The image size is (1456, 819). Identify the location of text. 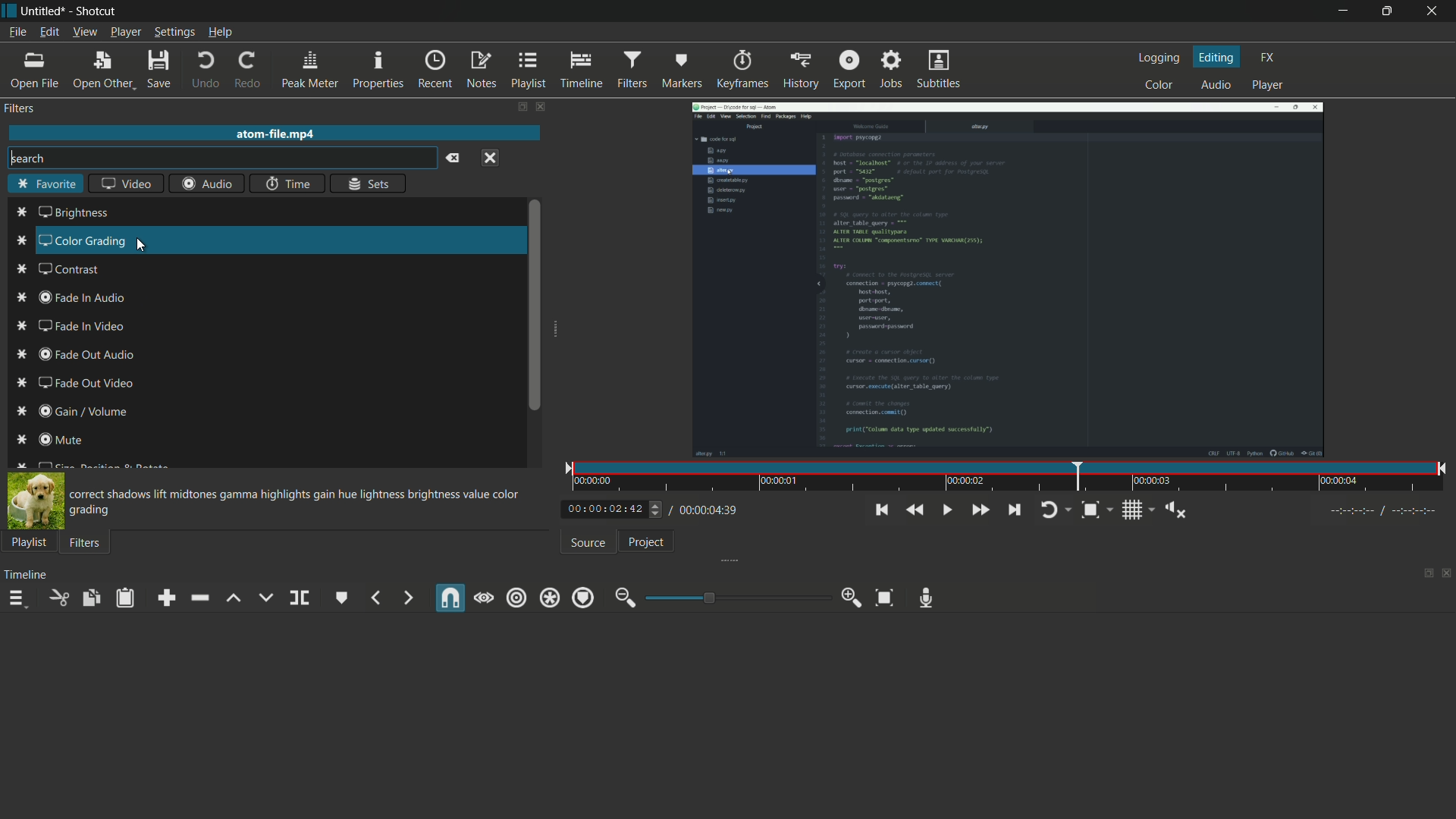
(297, 502).